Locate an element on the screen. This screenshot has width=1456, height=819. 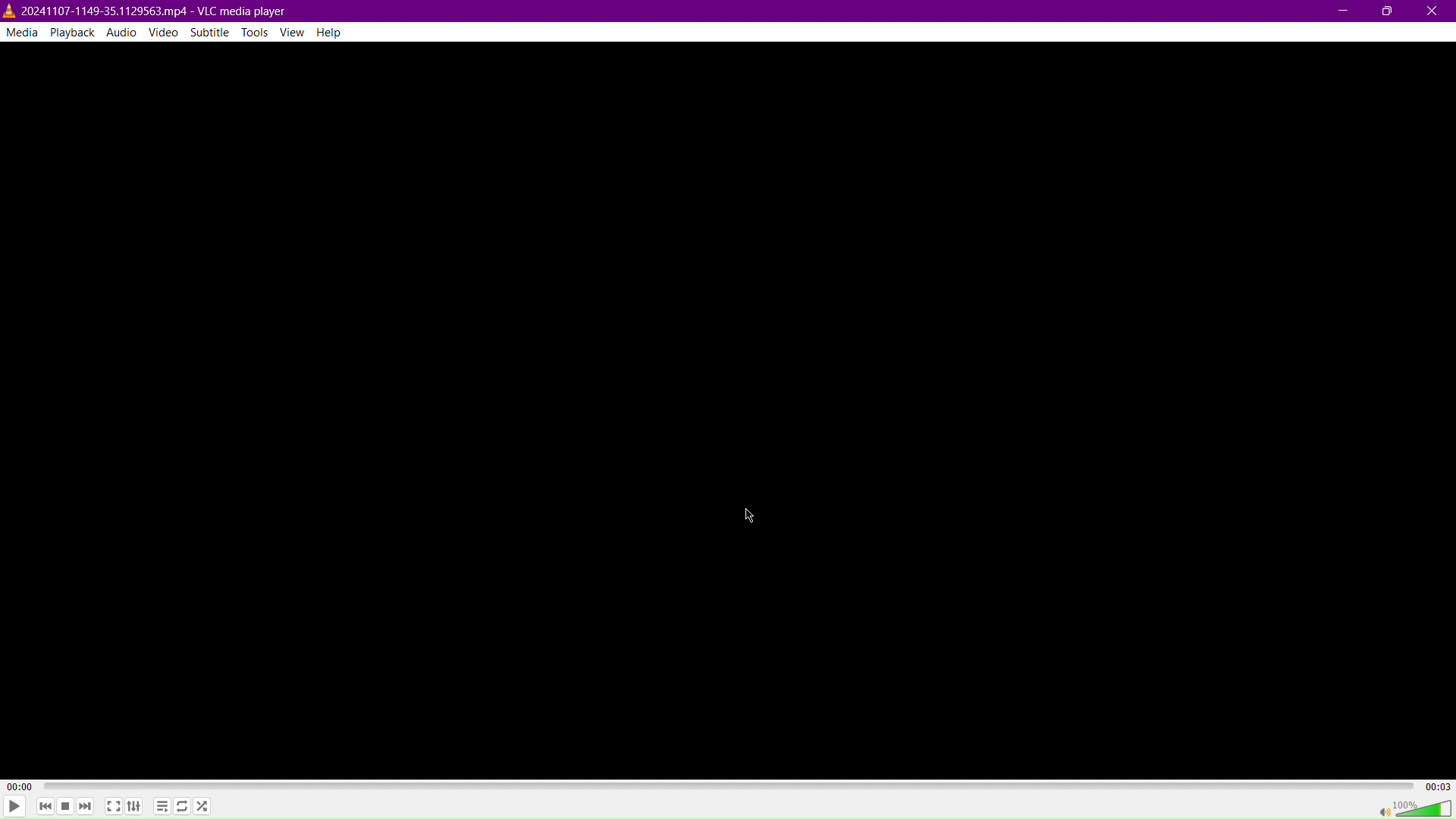
Toggle playlist is located at coordinates (160, 805).